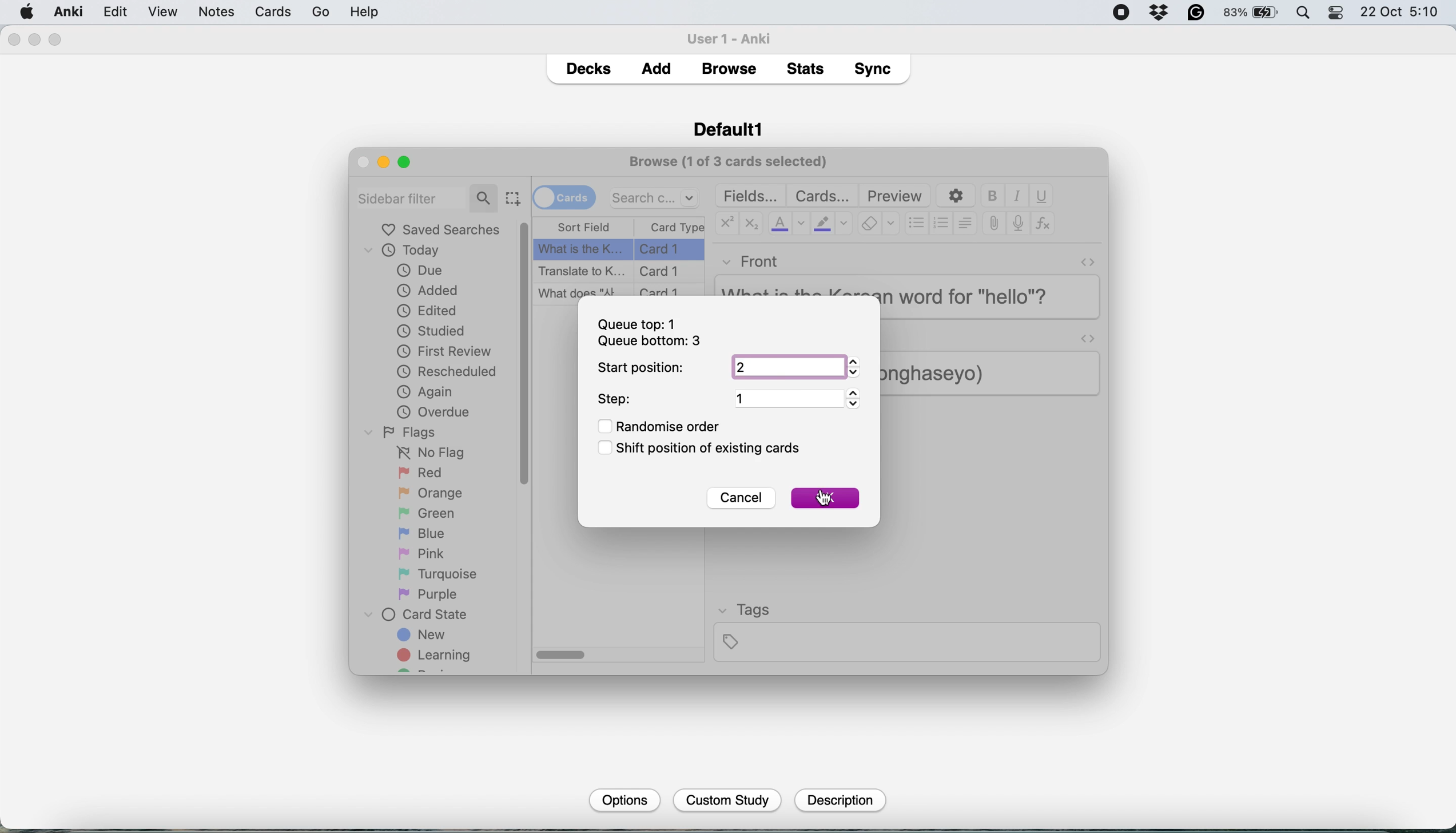  What do you see at coordinates (726, 225) in the screenshot?
I see `superscript` at bounding box center [726, 225].